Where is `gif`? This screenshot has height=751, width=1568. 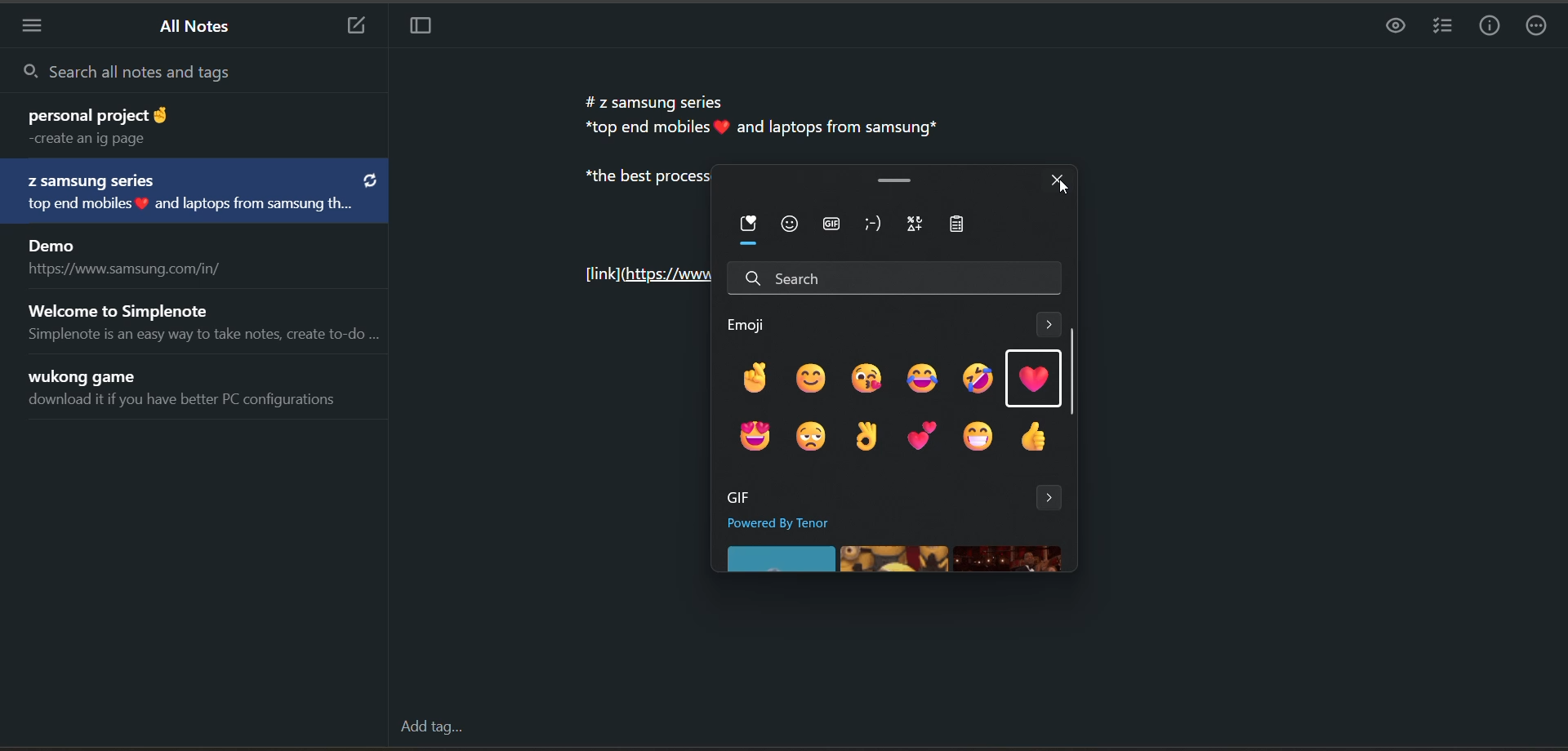 gif is located at coordinates (895, 559).